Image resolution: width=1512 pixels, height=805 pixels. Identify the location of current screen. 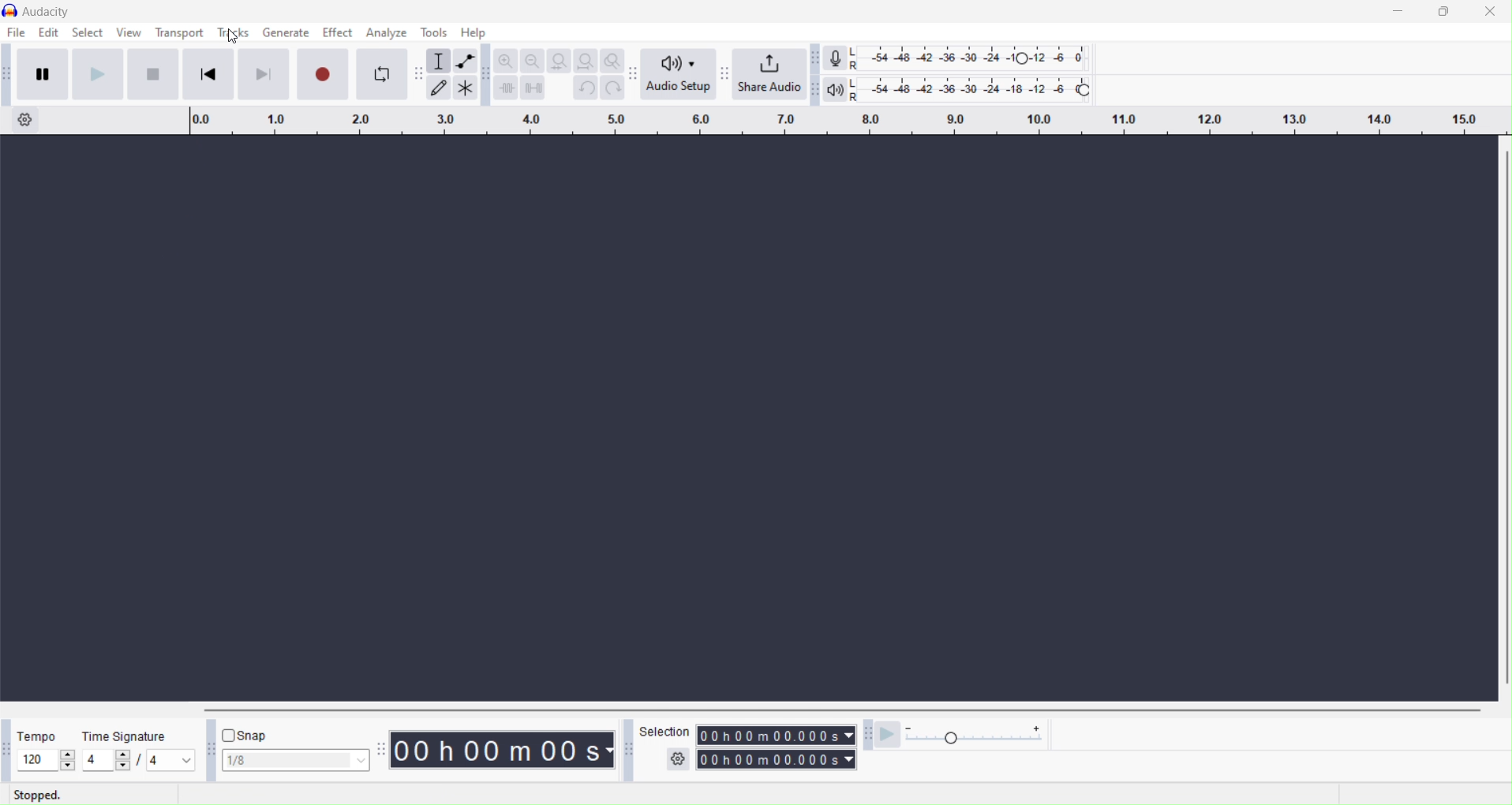
(742, 418).